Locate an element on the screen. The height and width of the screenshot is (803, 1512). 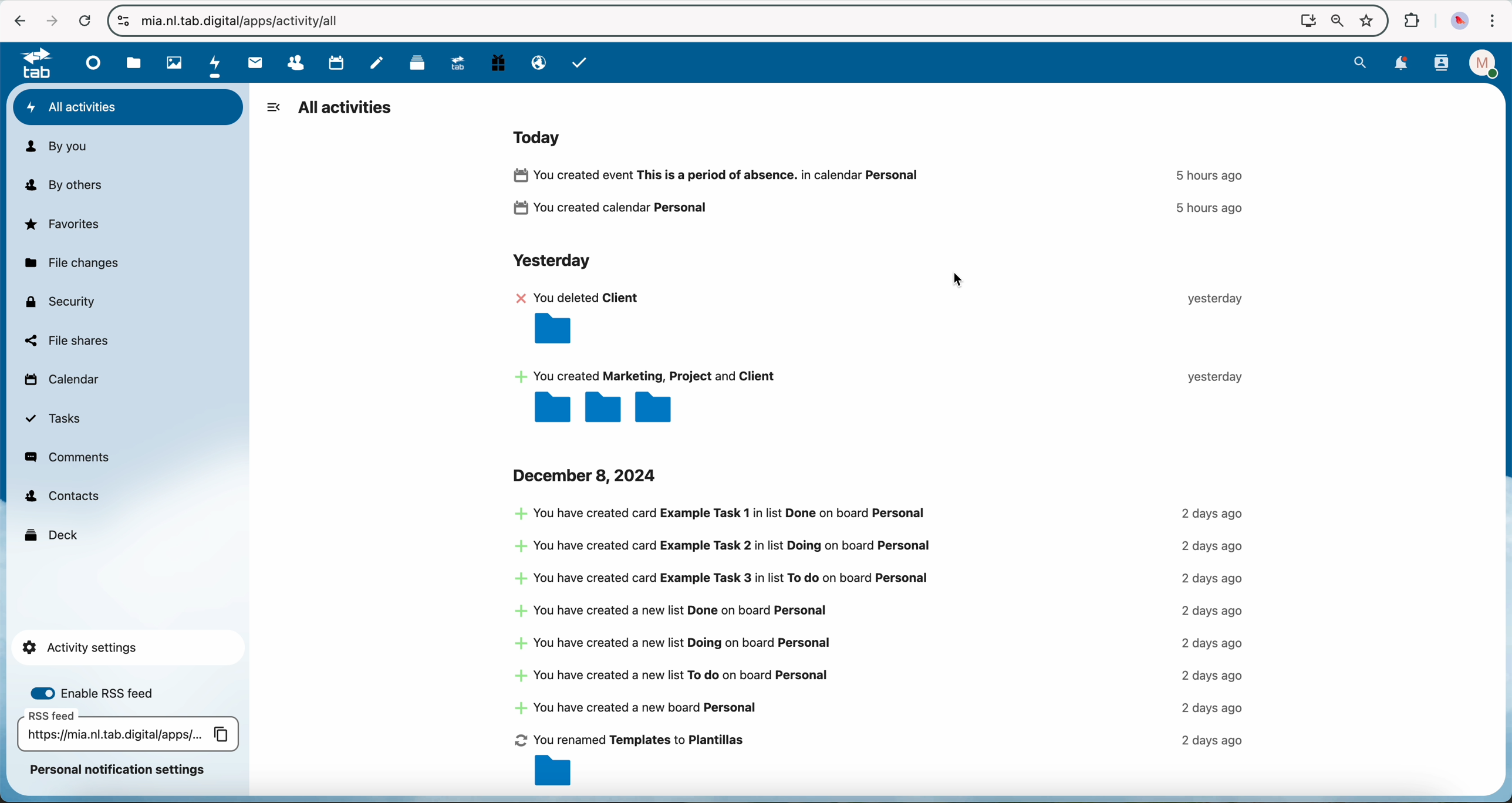
all activities is located at coordinates (346, 109).